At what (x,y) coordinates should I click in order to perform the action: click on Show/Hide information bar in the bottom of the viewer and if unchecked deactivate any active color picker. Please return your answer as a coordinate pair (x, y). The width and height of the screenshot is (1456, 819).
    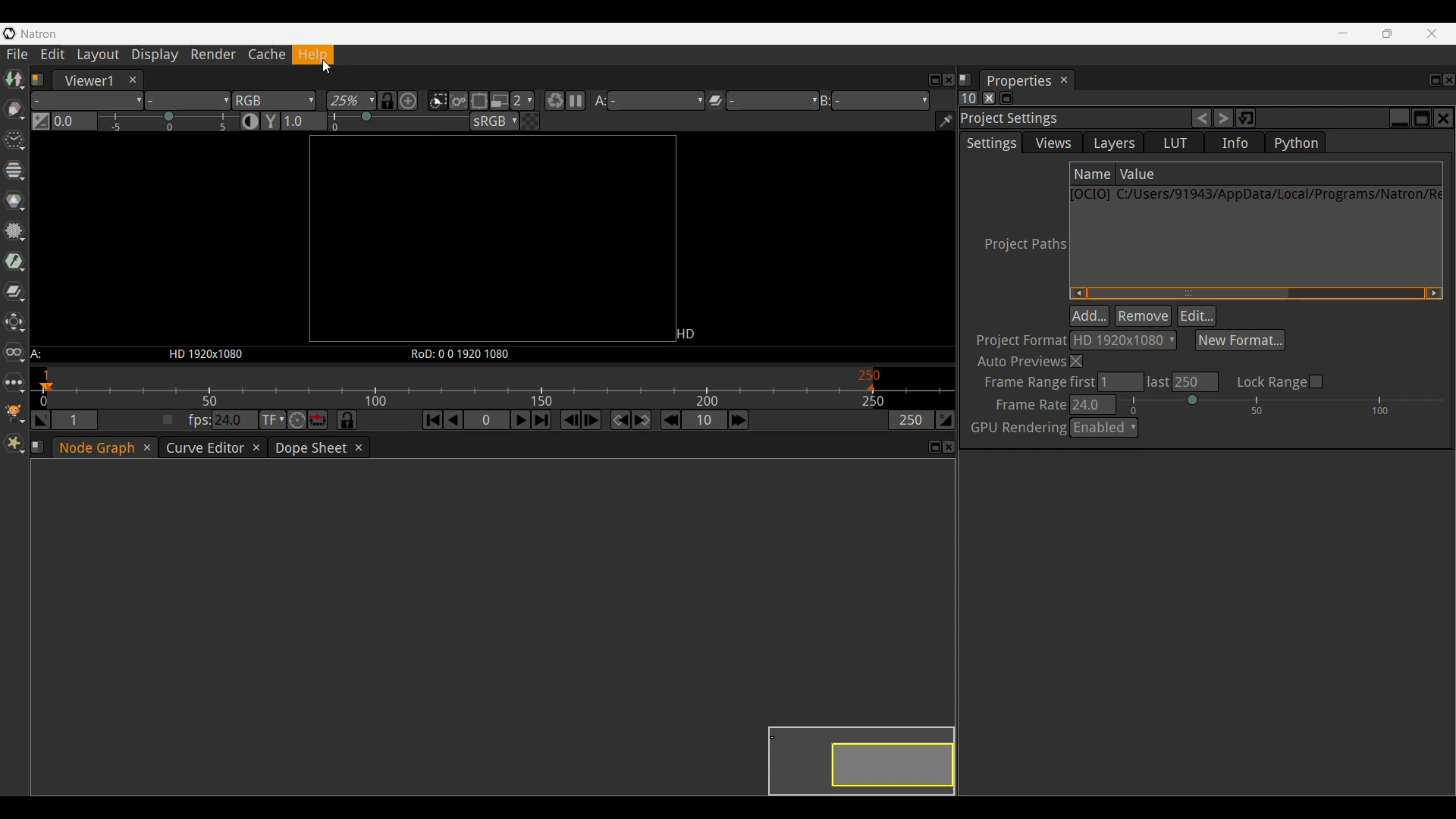
    Looking at the image, I should click on (945, 121).